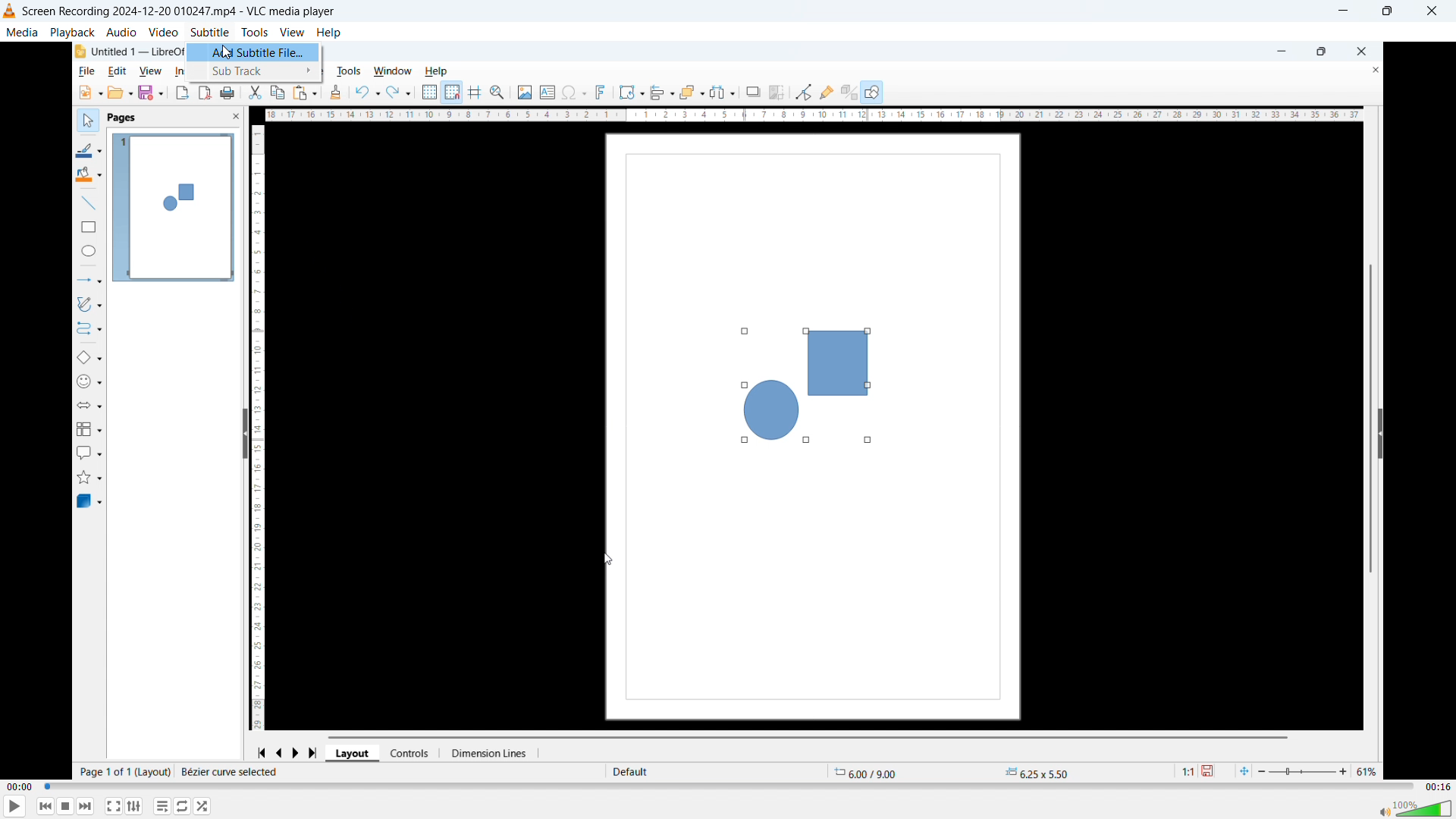  I want to click on 3d object, so click(90, 502).